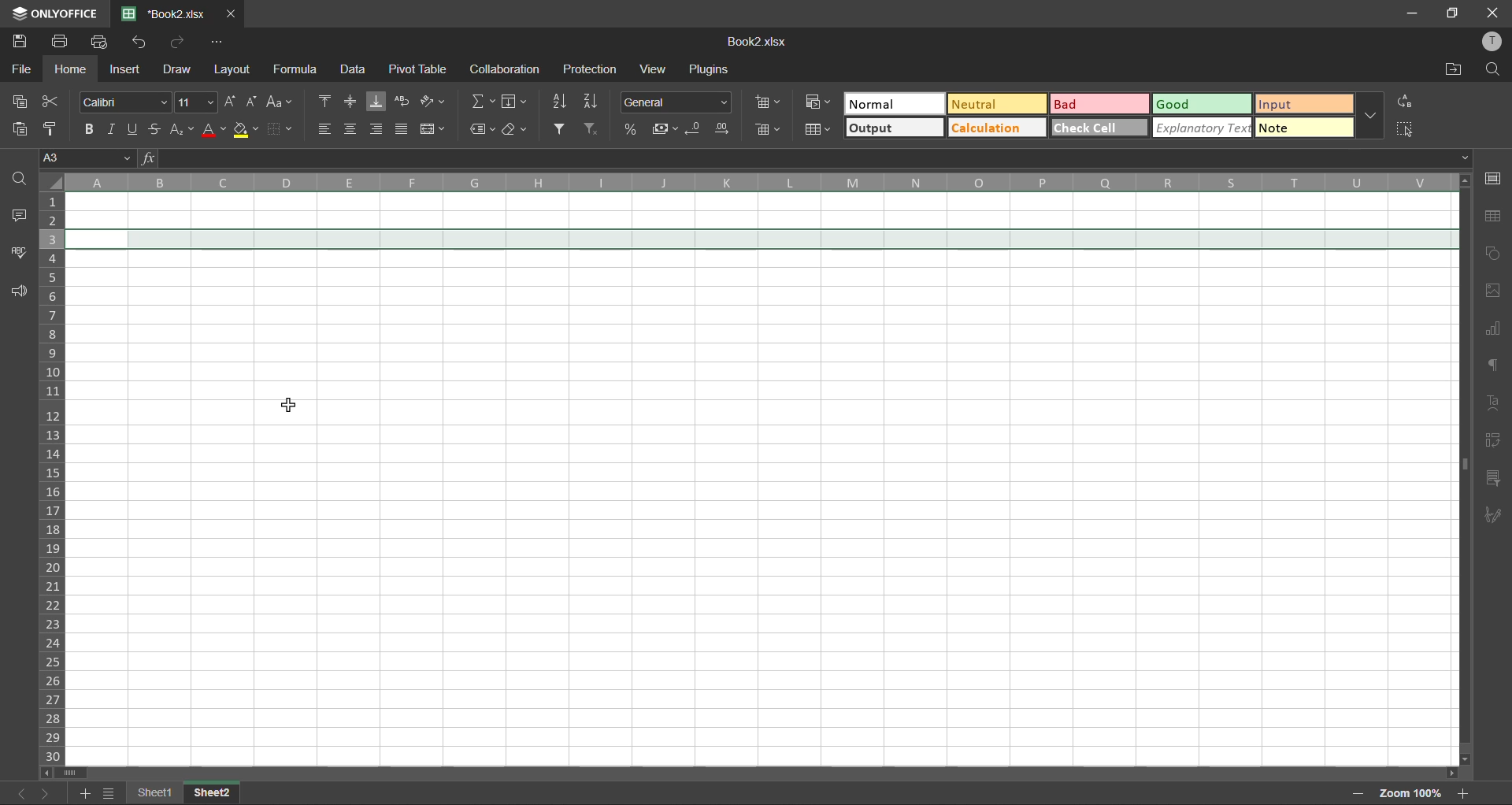 Image resolution: width=1512 pixels, height=805 pixels. What do you see at coordinates (562, 129) in the screenshot?
I see `filter` at bounding box center [562, 129].